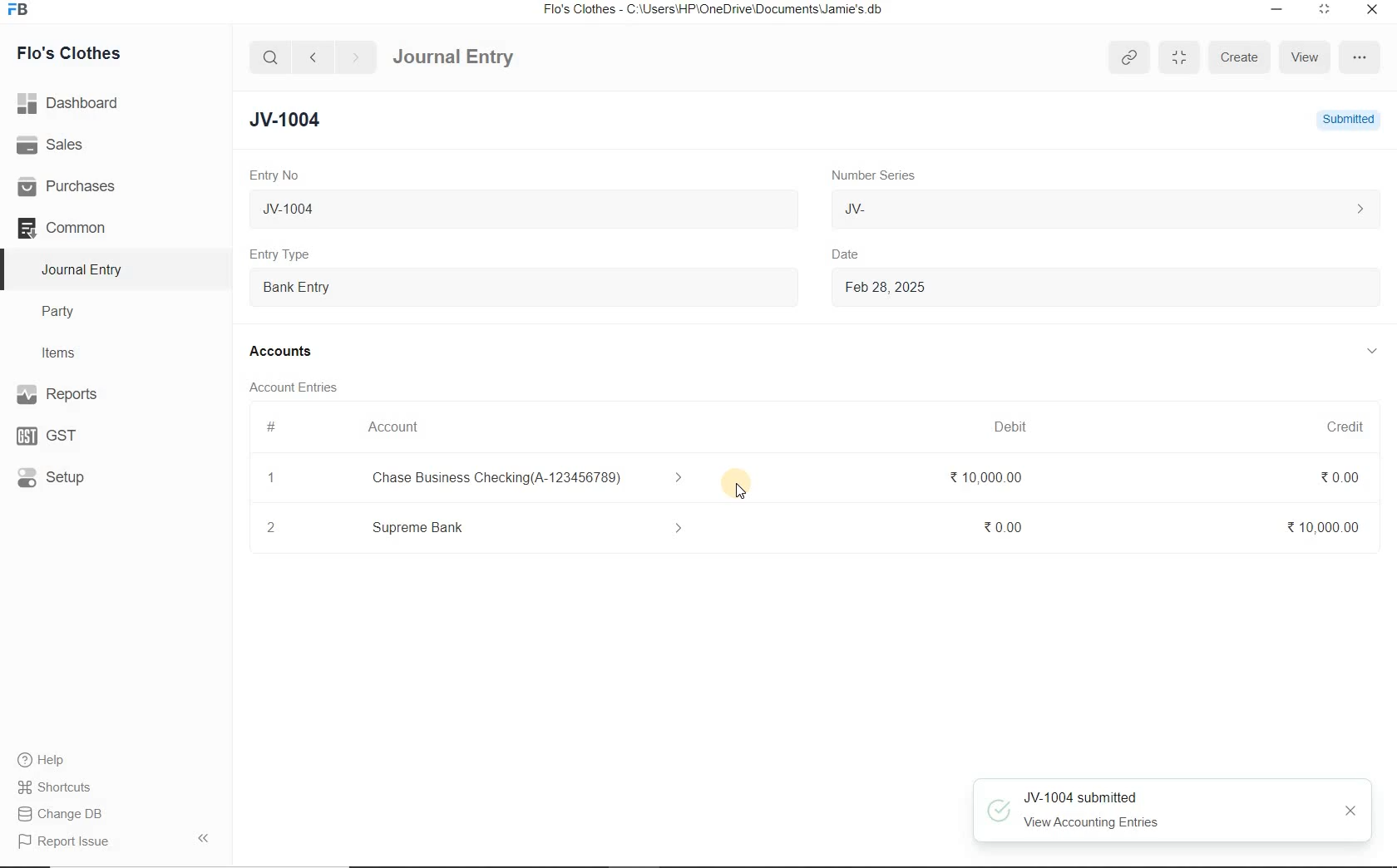  Describe the element at coordinates (997, 525) in the screenshot. I see `₹0.00` at that location.